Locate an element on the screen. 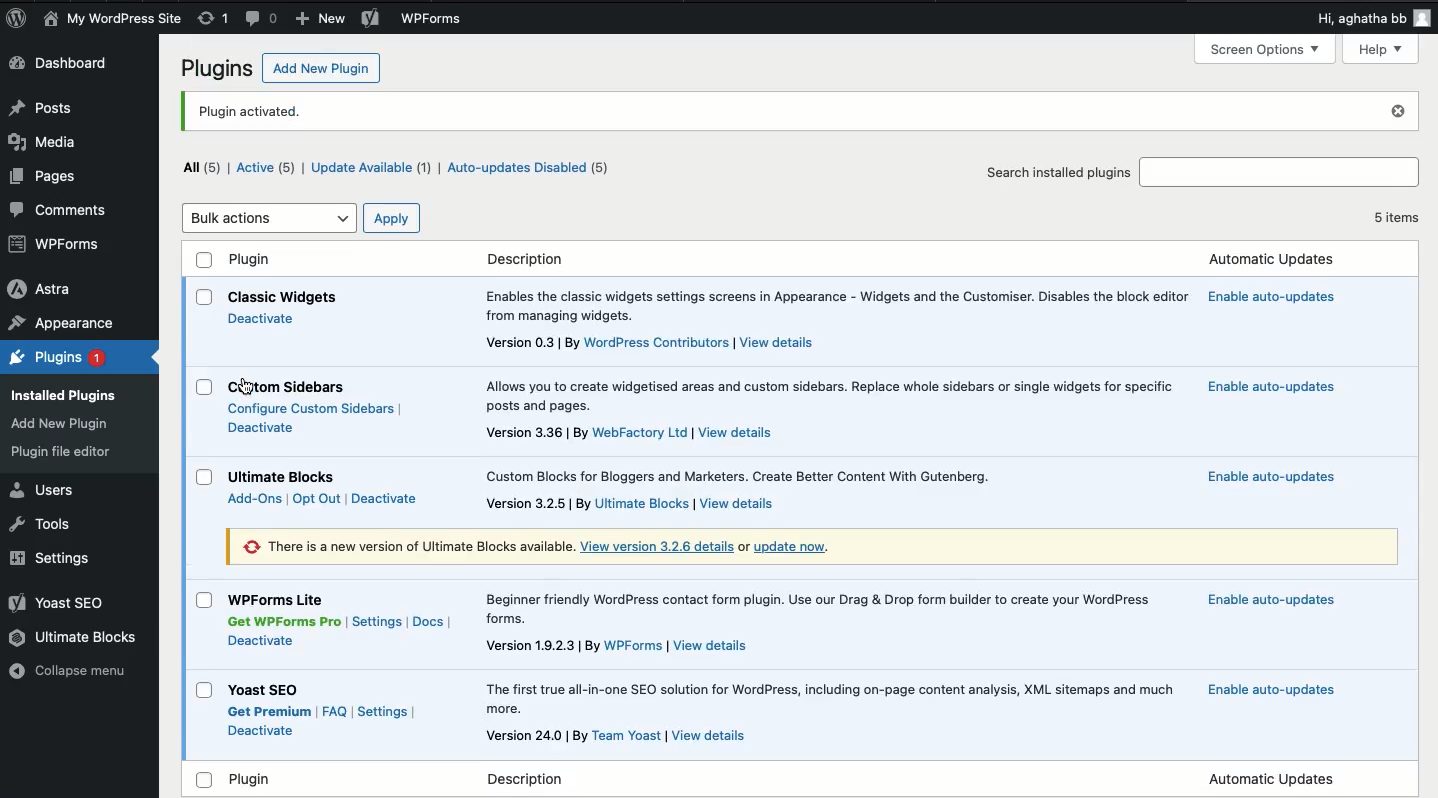 The width and height of the screenshot is (1438, 798). version is located at coordinates (537, 737).